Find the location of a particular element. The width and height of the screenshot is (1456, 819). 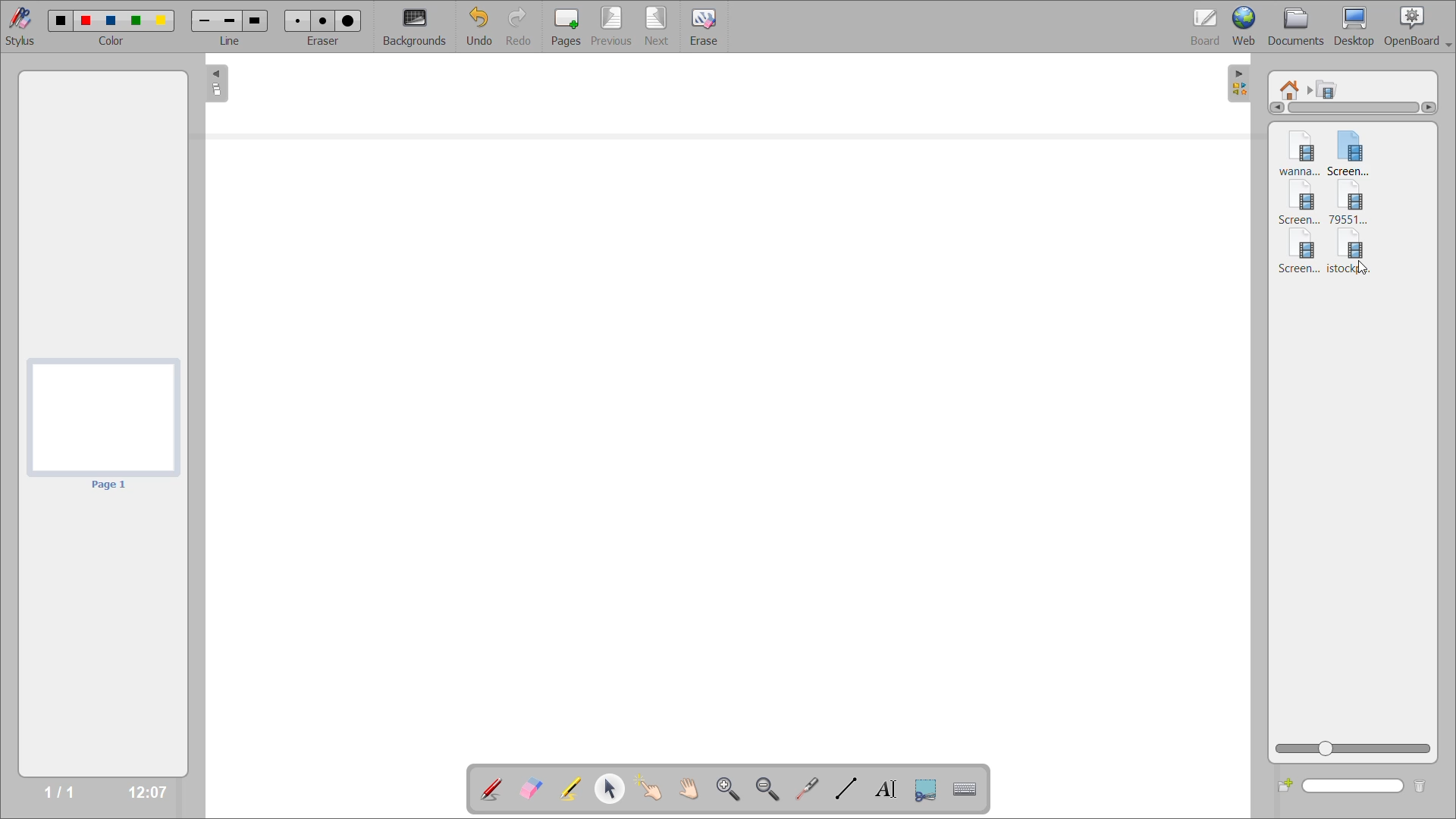

medium eraser is located at coordinates (322, 21).